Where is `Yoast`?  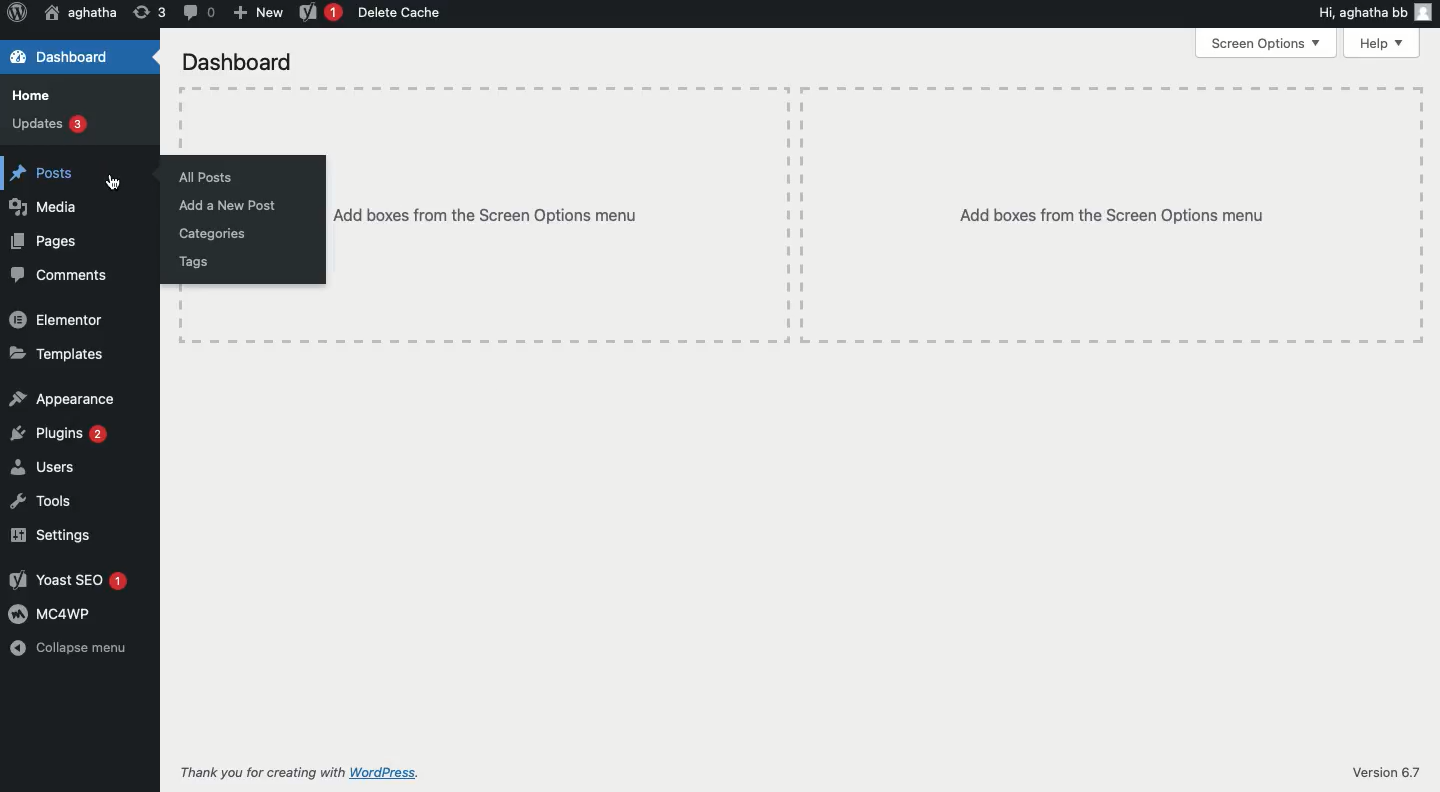 Yoast is located at coordinates (317, 15).